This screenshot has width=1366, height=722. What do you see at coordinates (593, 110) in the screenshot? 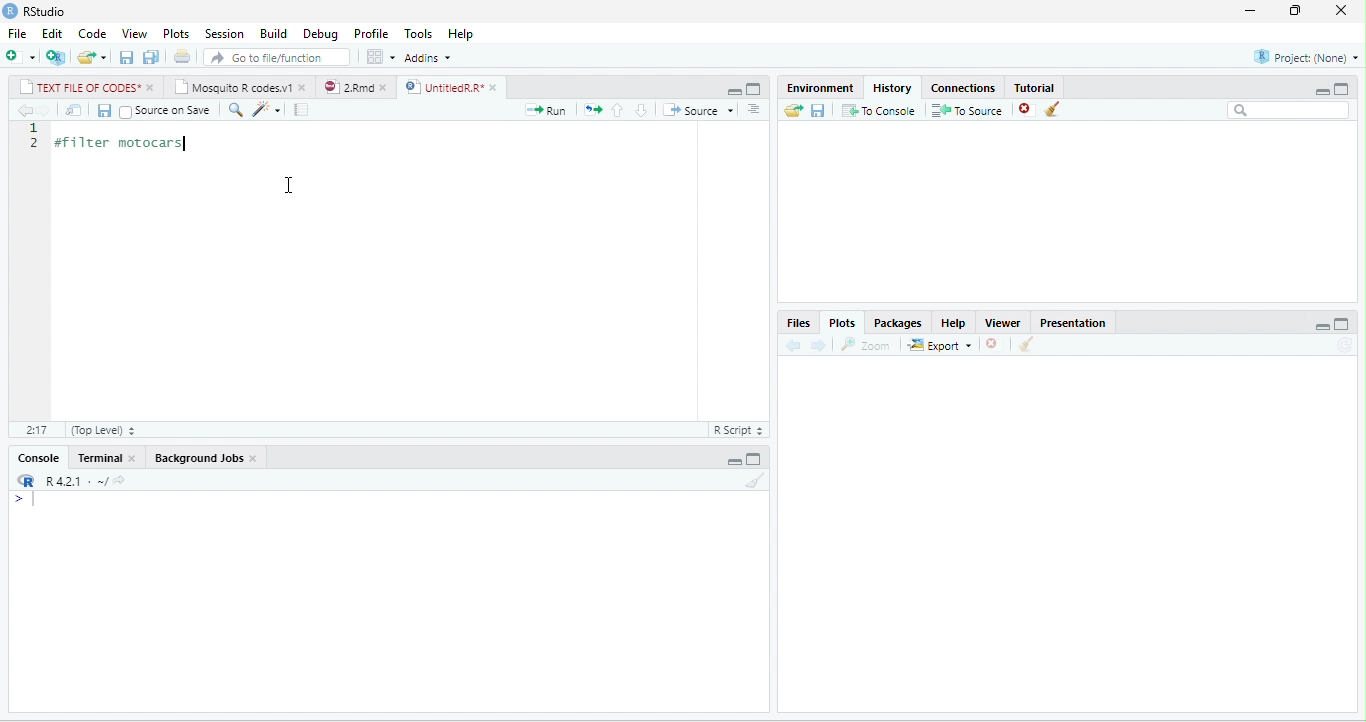
I see `rerun` at bounding box center [593, 110].